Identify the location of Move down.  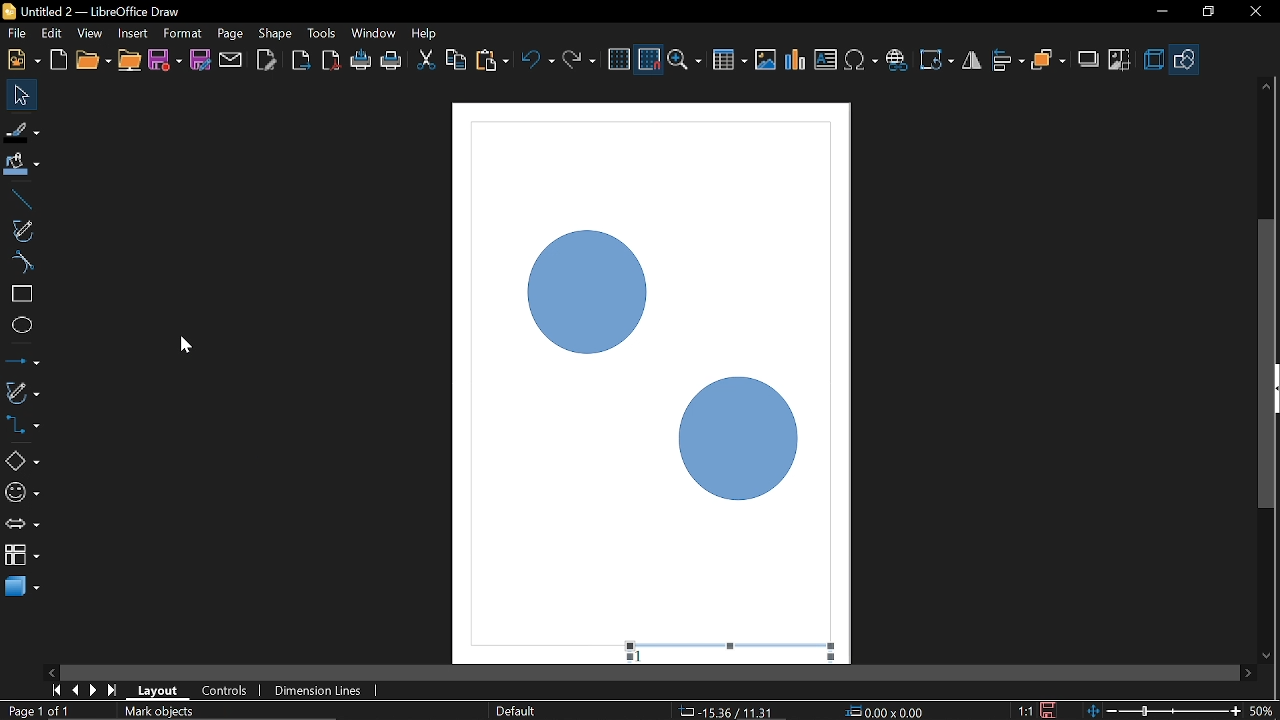
(1267, 657).